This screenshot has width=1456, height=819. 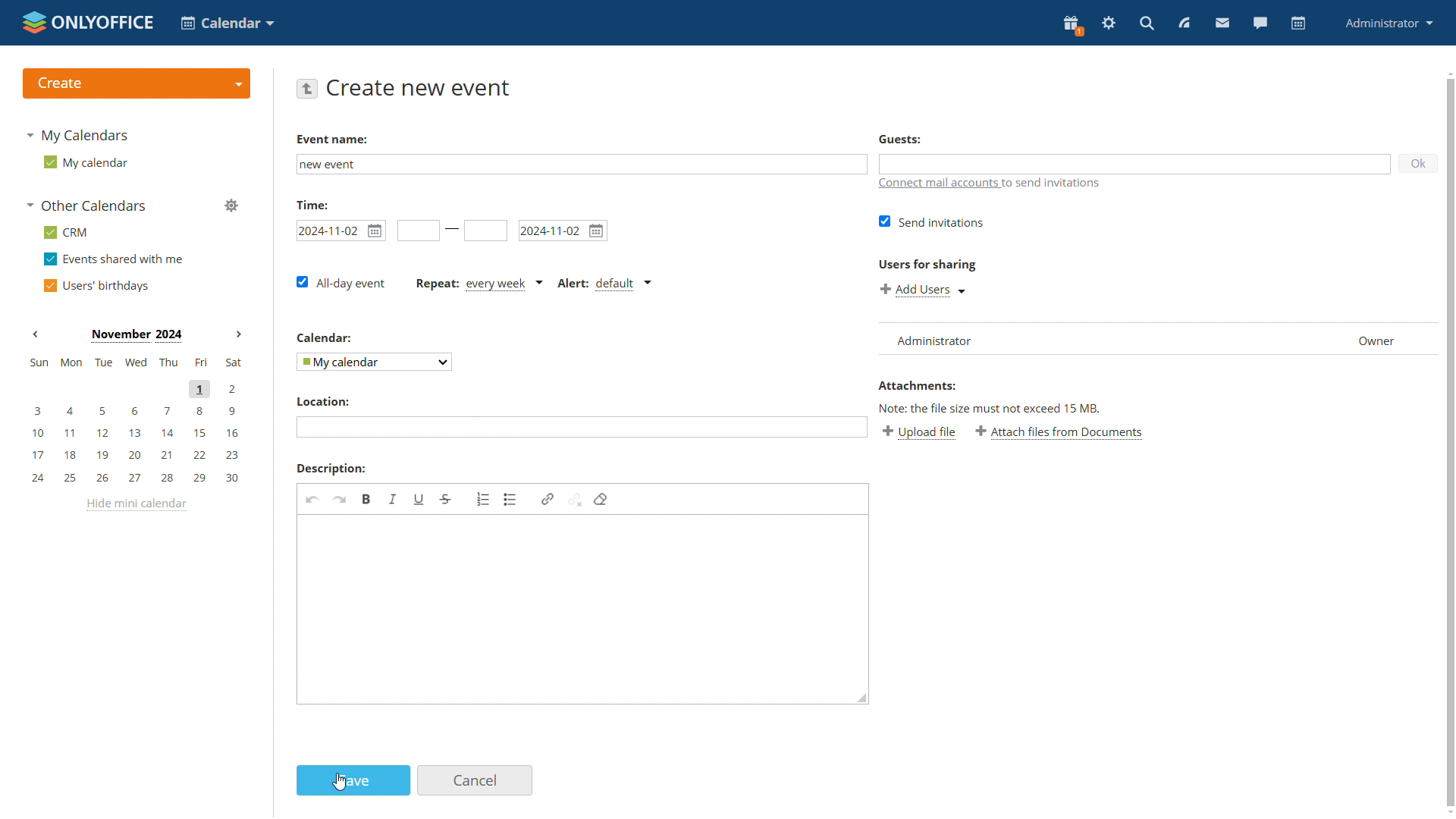 I want to click on mail, so click(x=1223, y=24).